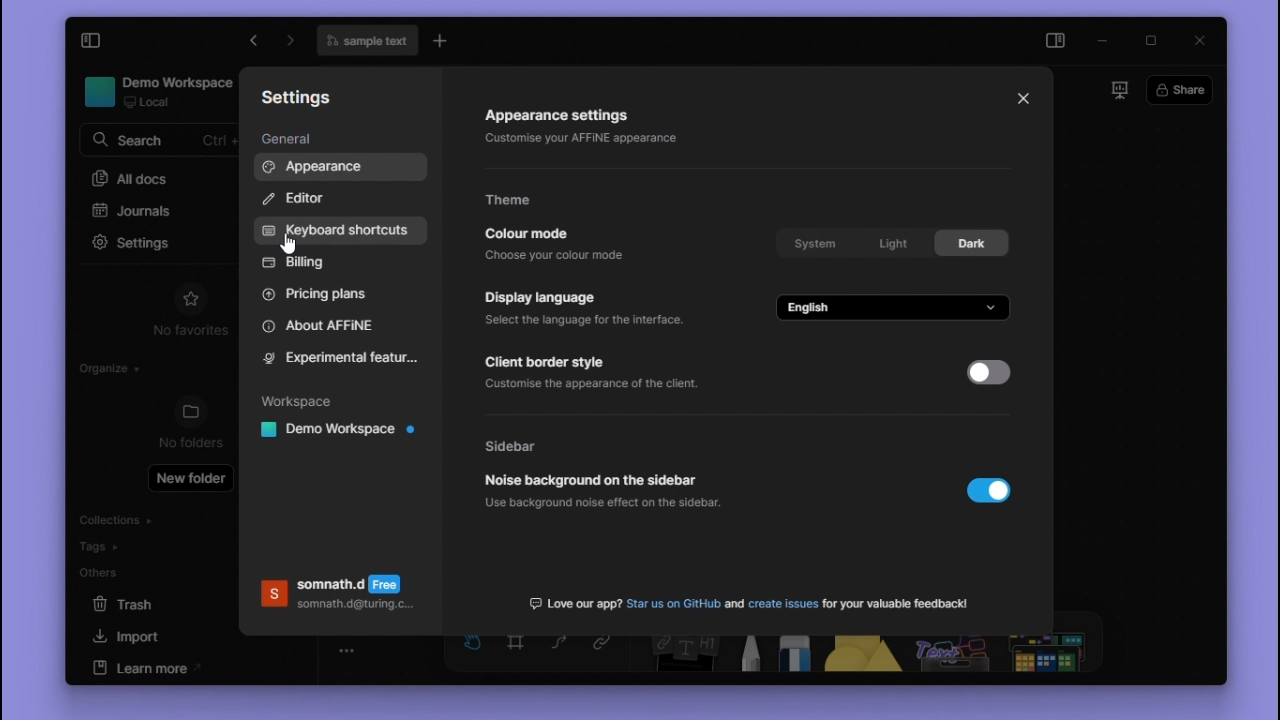  I want to click on no favorites, so click(185, 331).